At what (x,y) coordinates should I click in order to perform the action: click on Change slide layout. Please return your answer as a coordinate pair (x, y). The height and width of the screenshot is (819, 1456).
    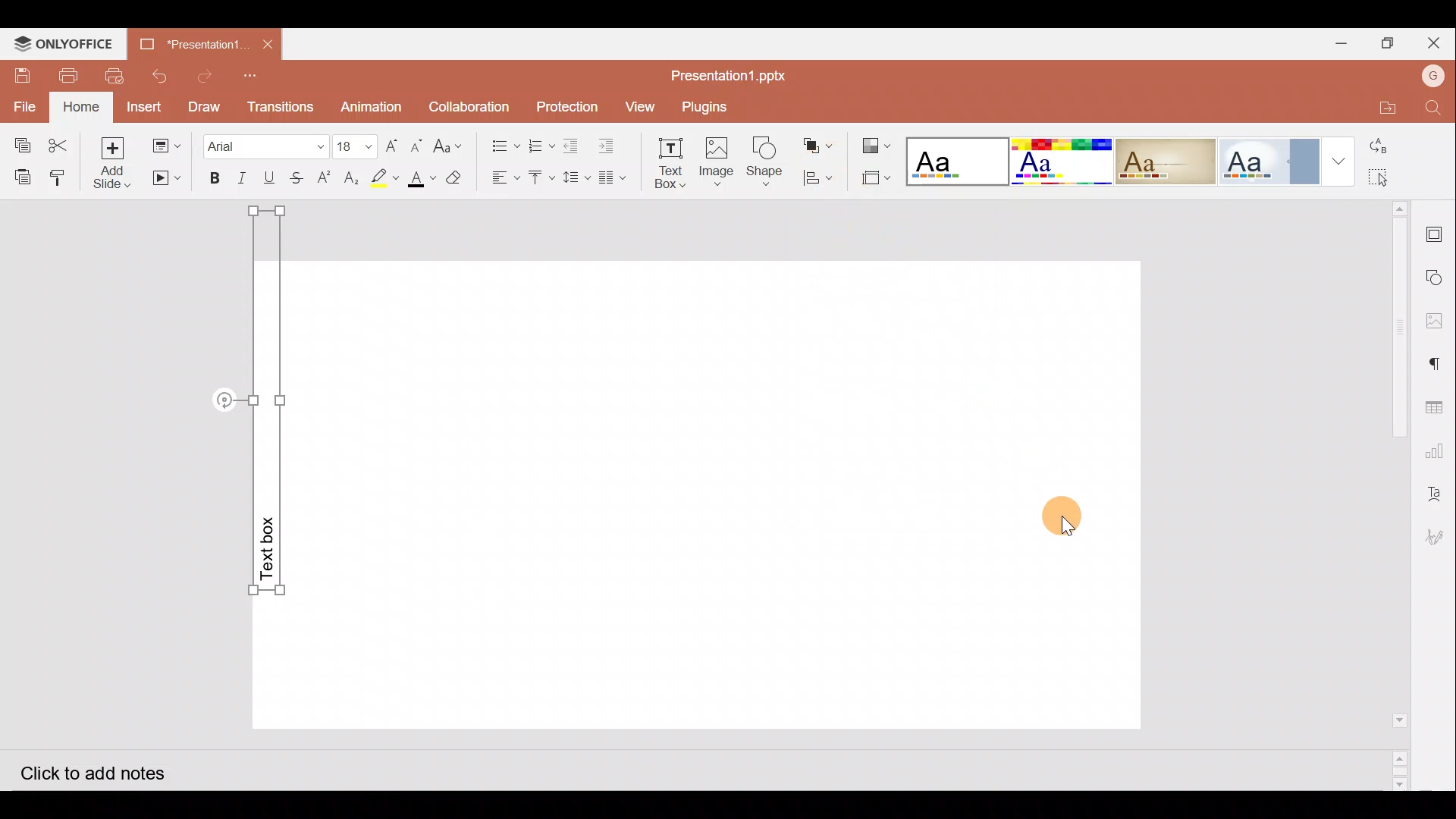
    Looking at the image, I should click on (168, 143).